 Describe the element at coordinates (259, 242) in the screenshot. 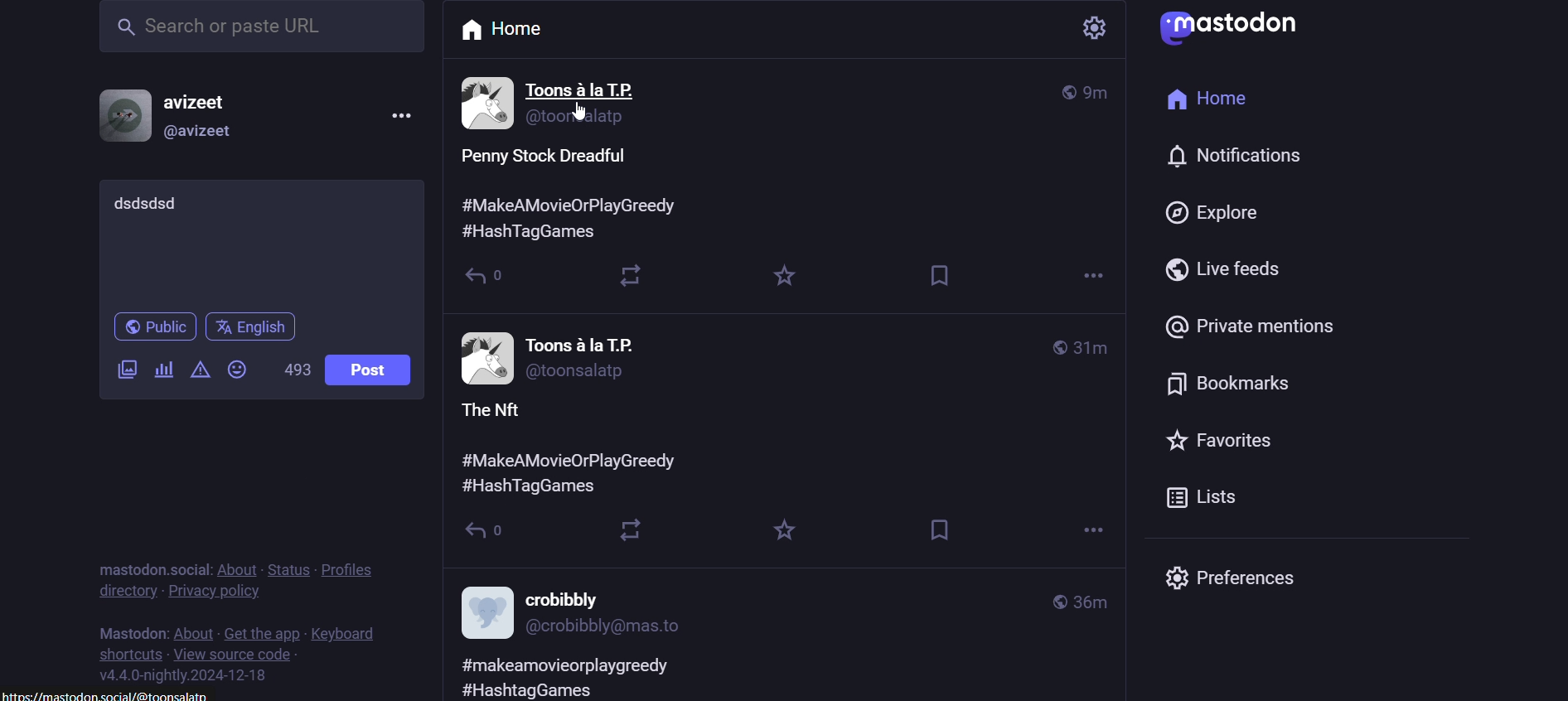

I see `whats on your mind` at that location.